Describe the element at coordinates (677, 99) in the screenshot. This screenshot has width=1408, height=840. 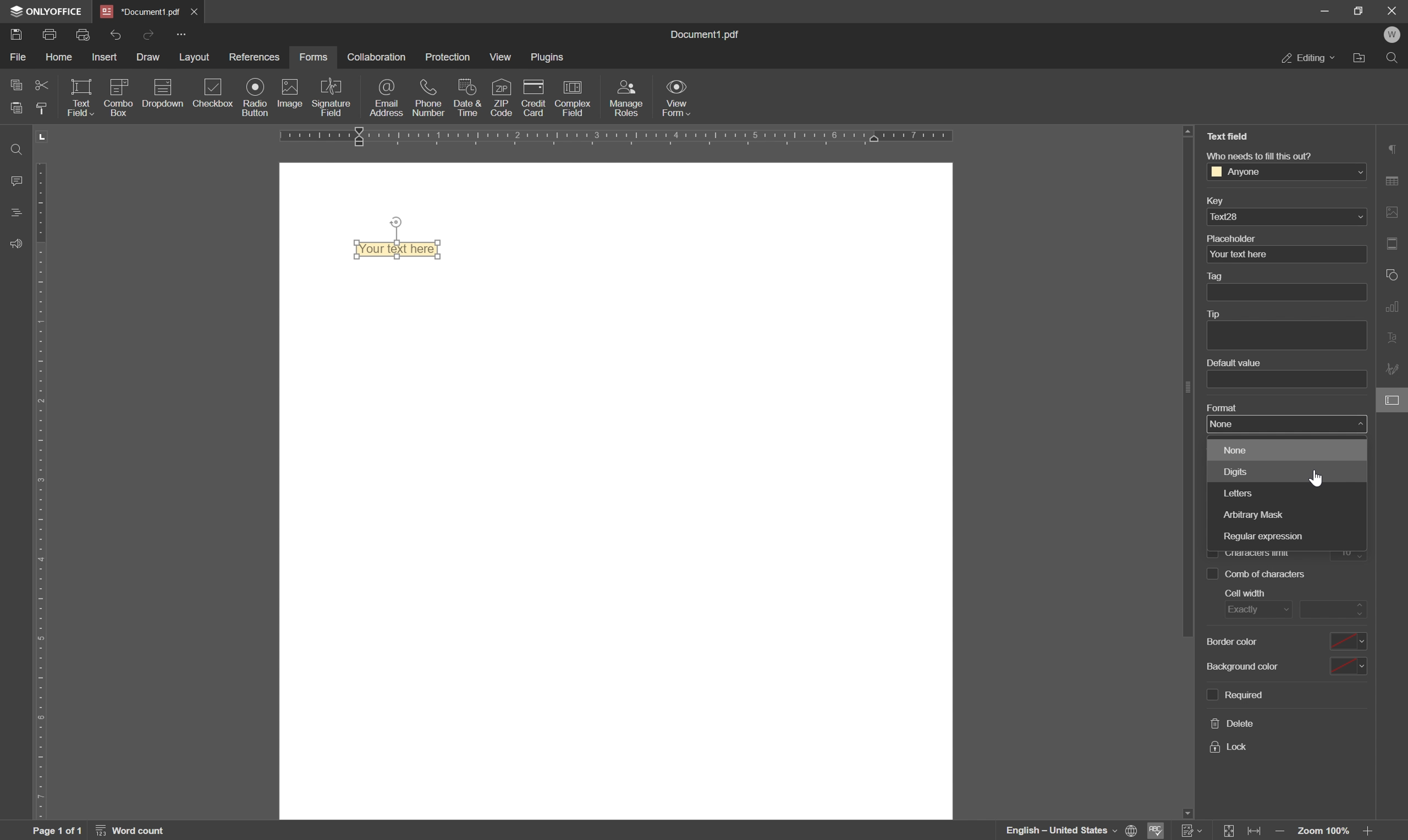
I see `view form` at that location.